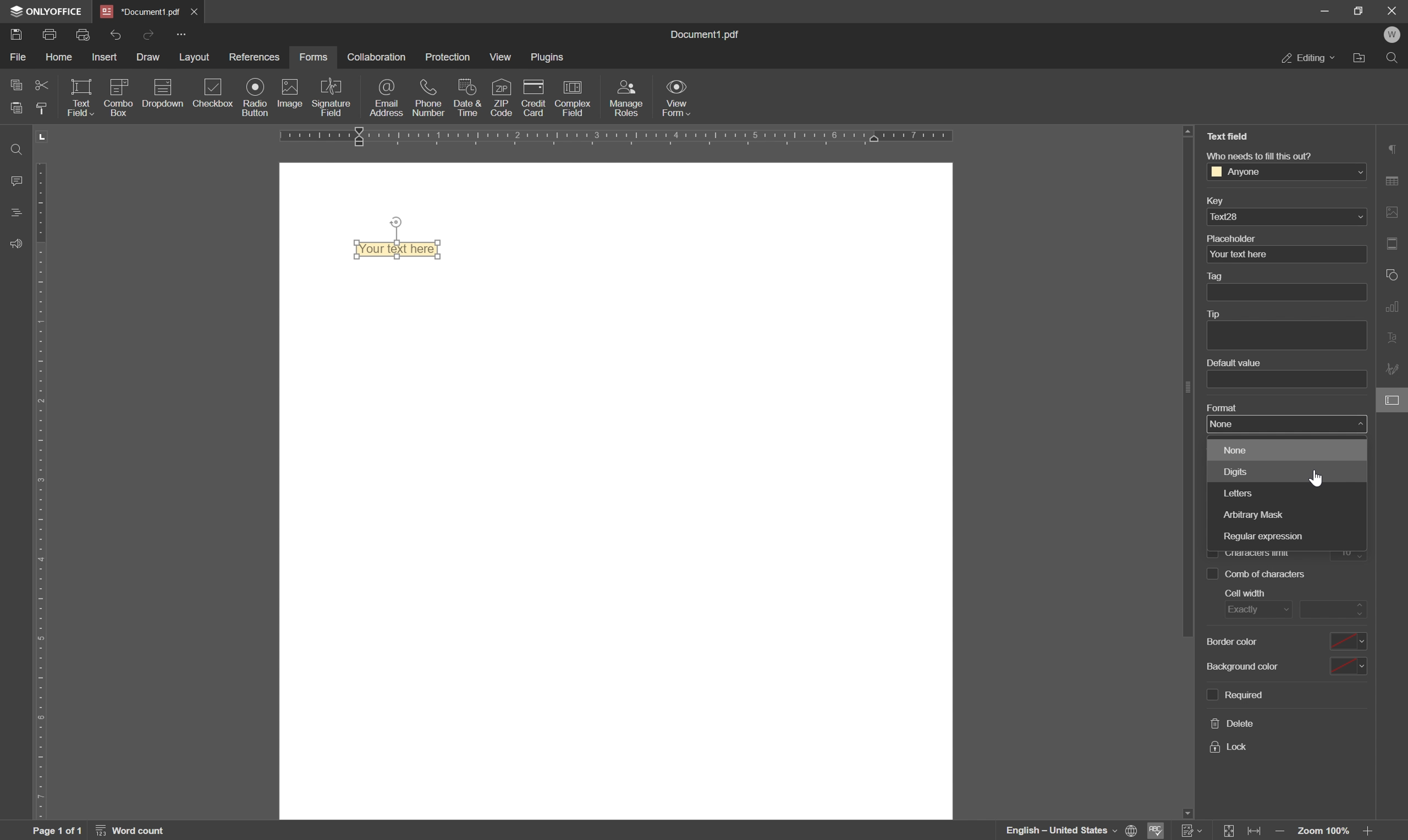  Describe the element at coordinates (12, 213) in the screenshot. I see `headings` at that location.